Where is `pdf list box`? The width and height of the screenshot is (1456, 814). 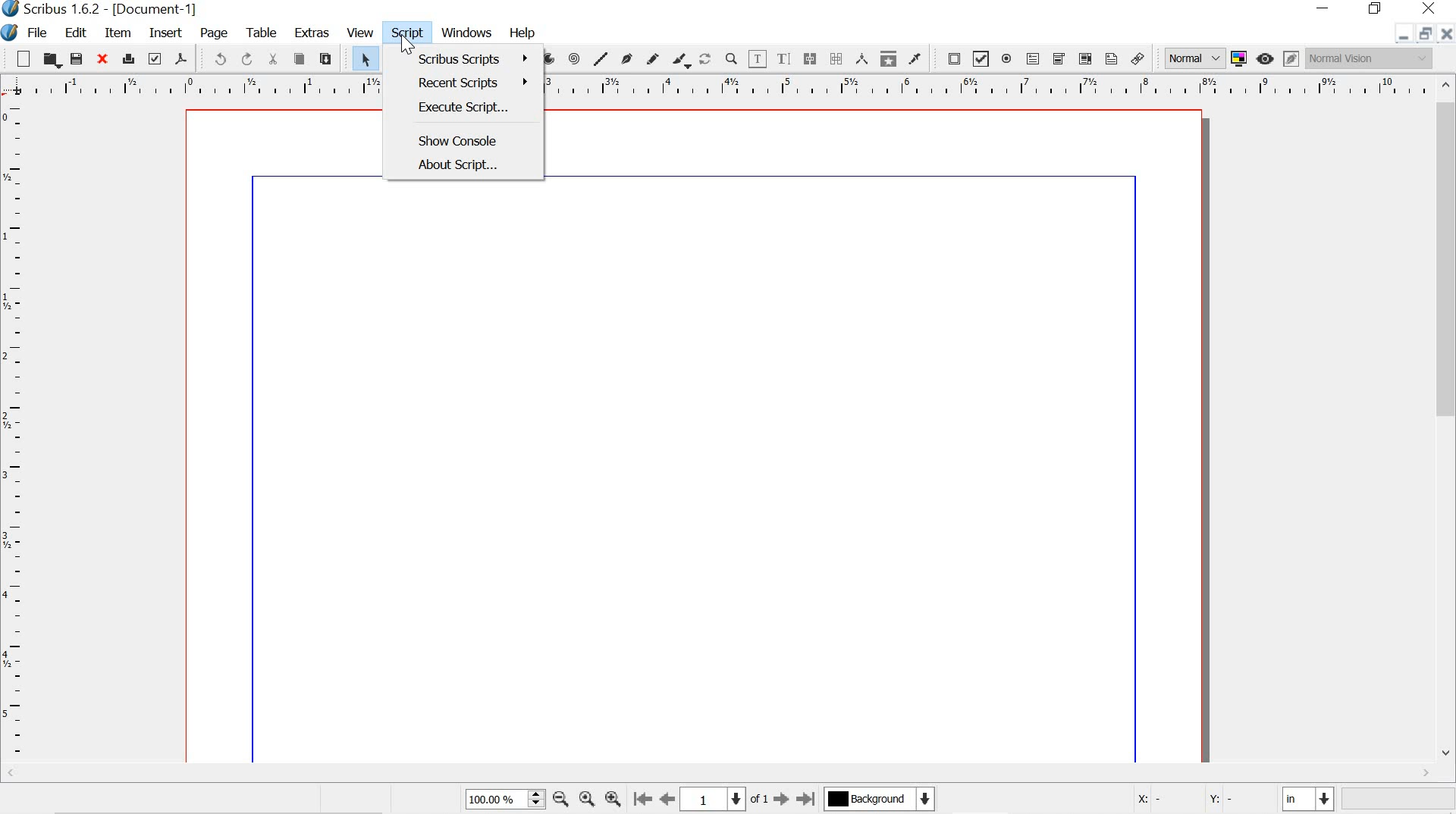 pdf list box is located at coordinates (1083, 59).